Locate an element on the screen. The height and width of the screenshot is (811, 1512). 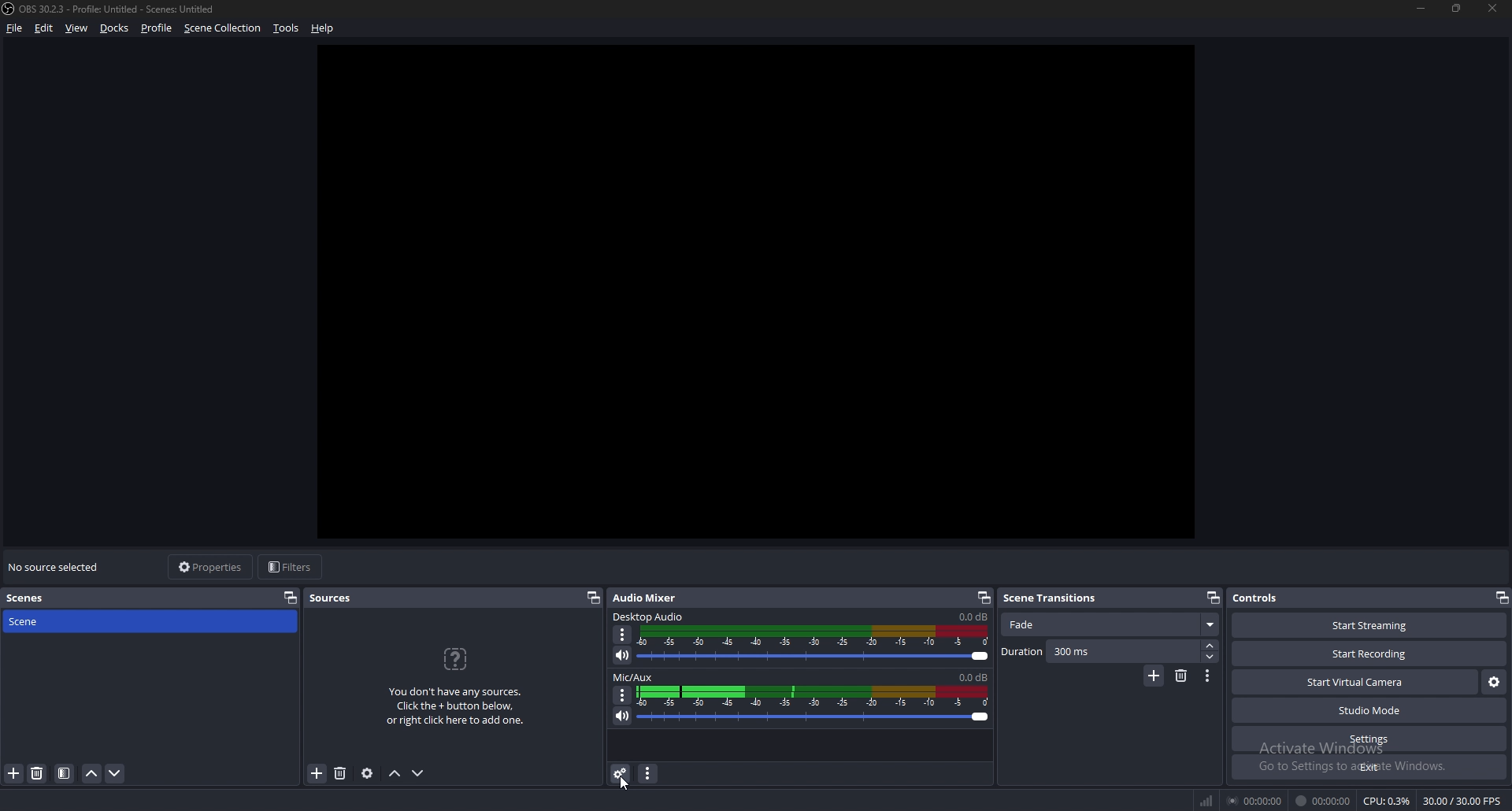
duration is located at coordinates (1099, 652).